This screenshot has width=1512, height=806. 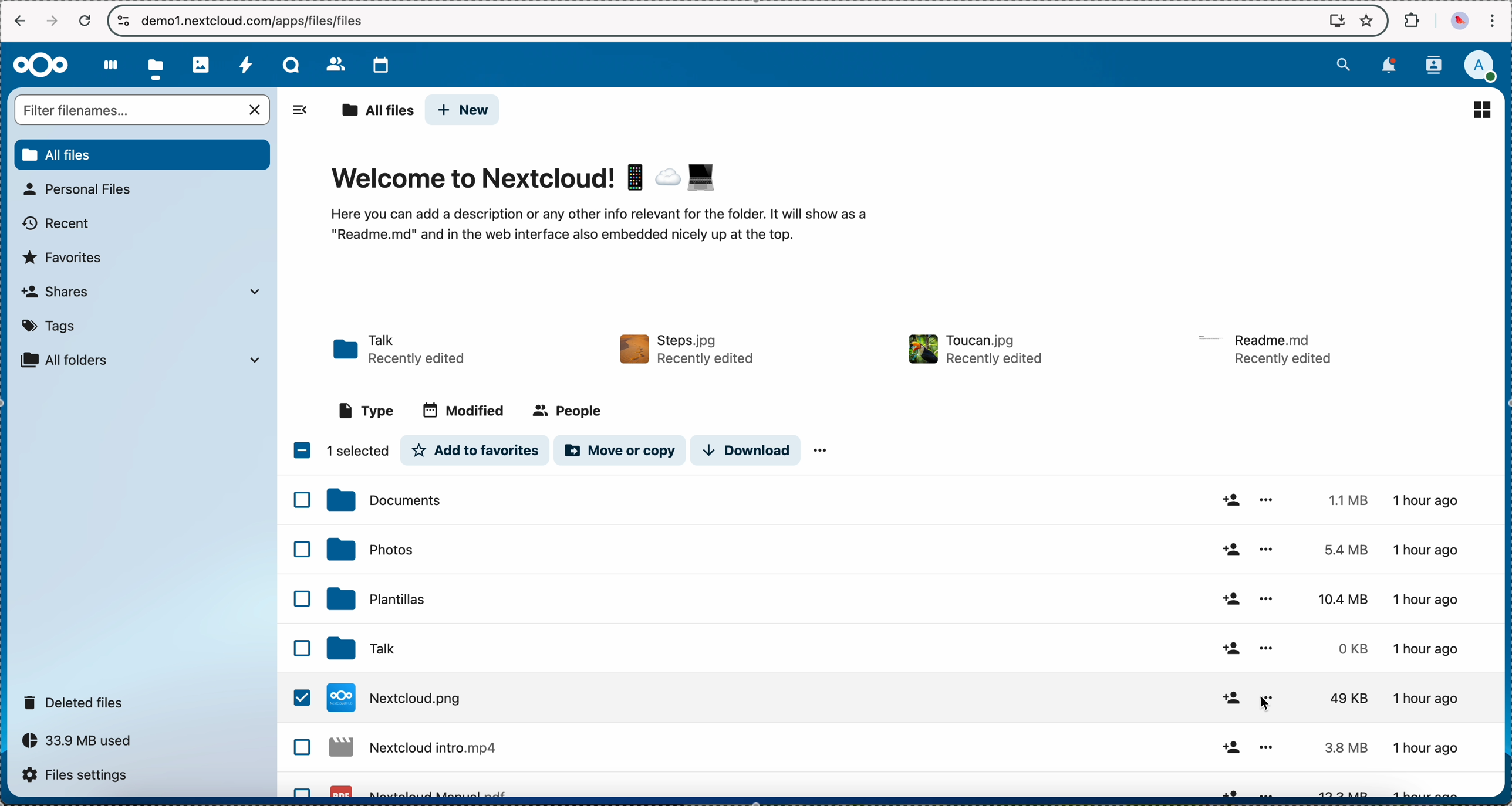 What do you see at coordinates (1337, 22) in the screenshot?
I see `install Nextcloud` at bounding box center [1337, 22].